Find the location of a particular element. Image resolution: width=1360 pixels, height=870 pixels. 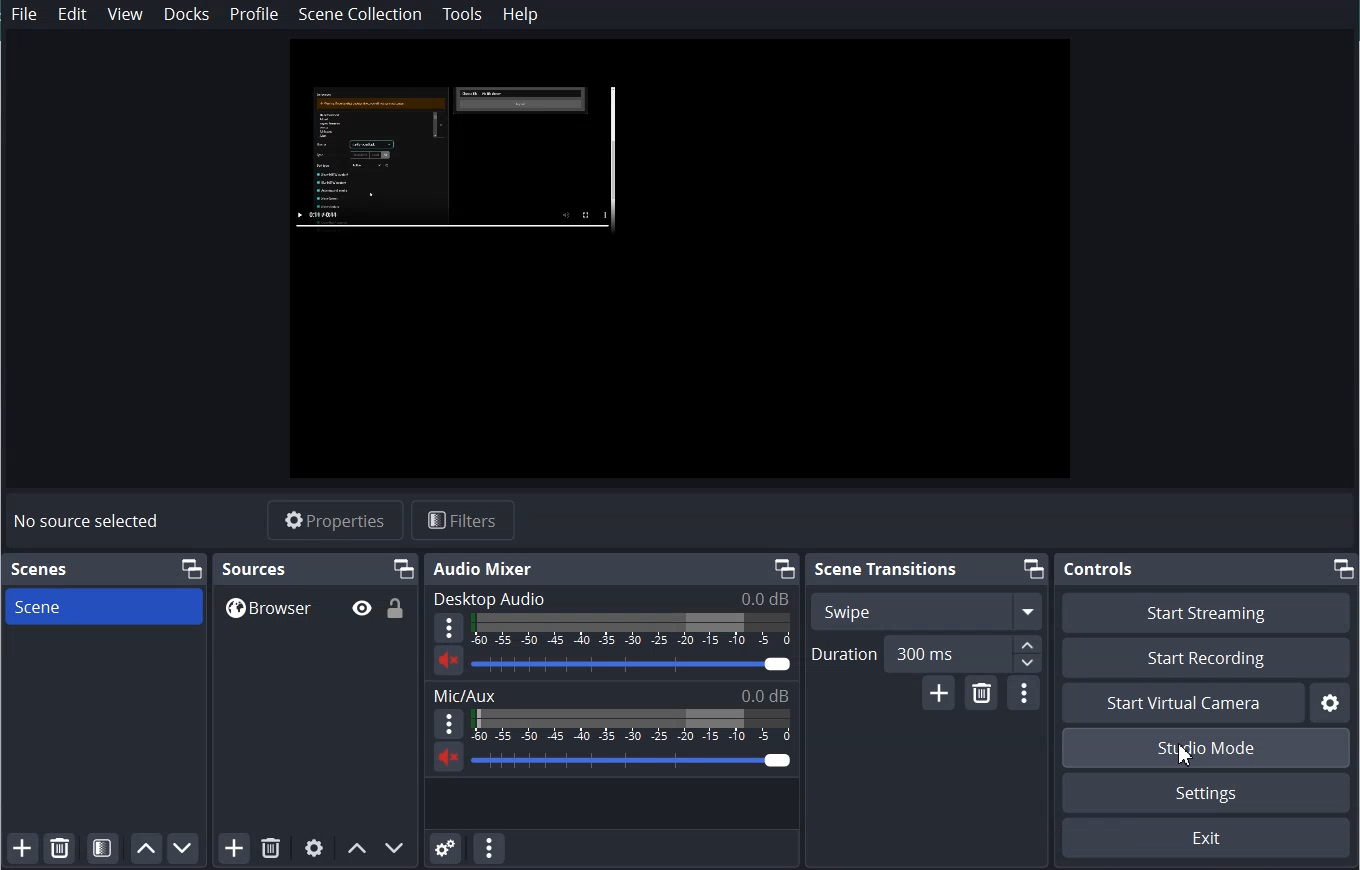

Sound is located at coordinates (448, 756).